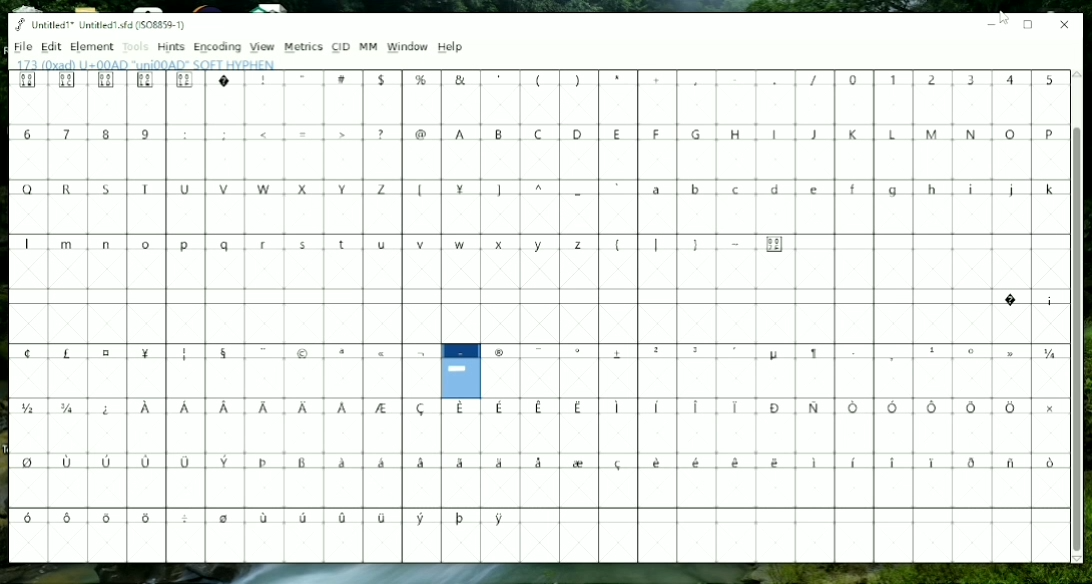 The image size is (1092, 584). Describe the element at coordinates (341, 47) in the screenshot. I see `CID` at that location.